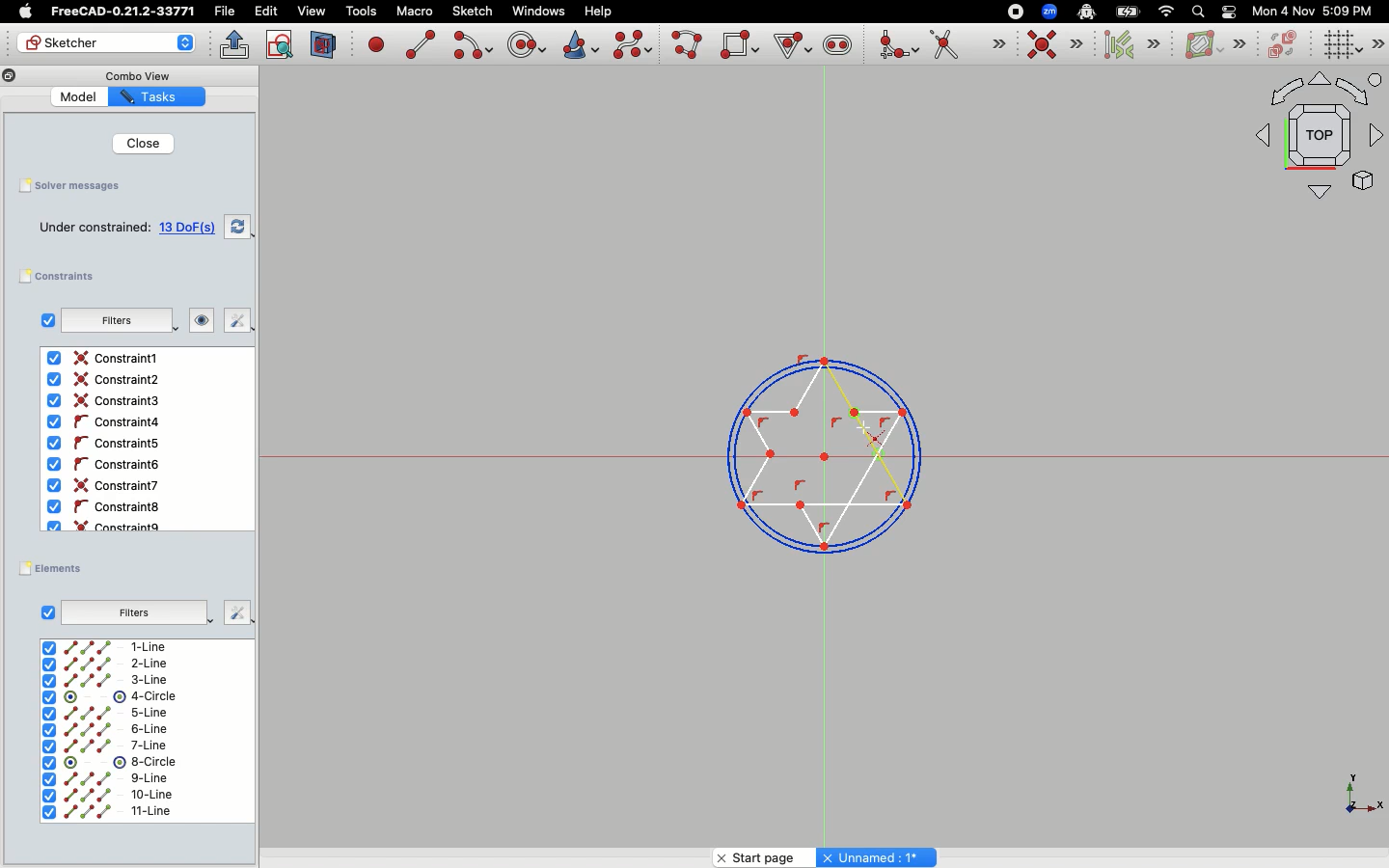  Describe the element at coordinates (324, 44) in the screenshot. I see `View section` at that location.